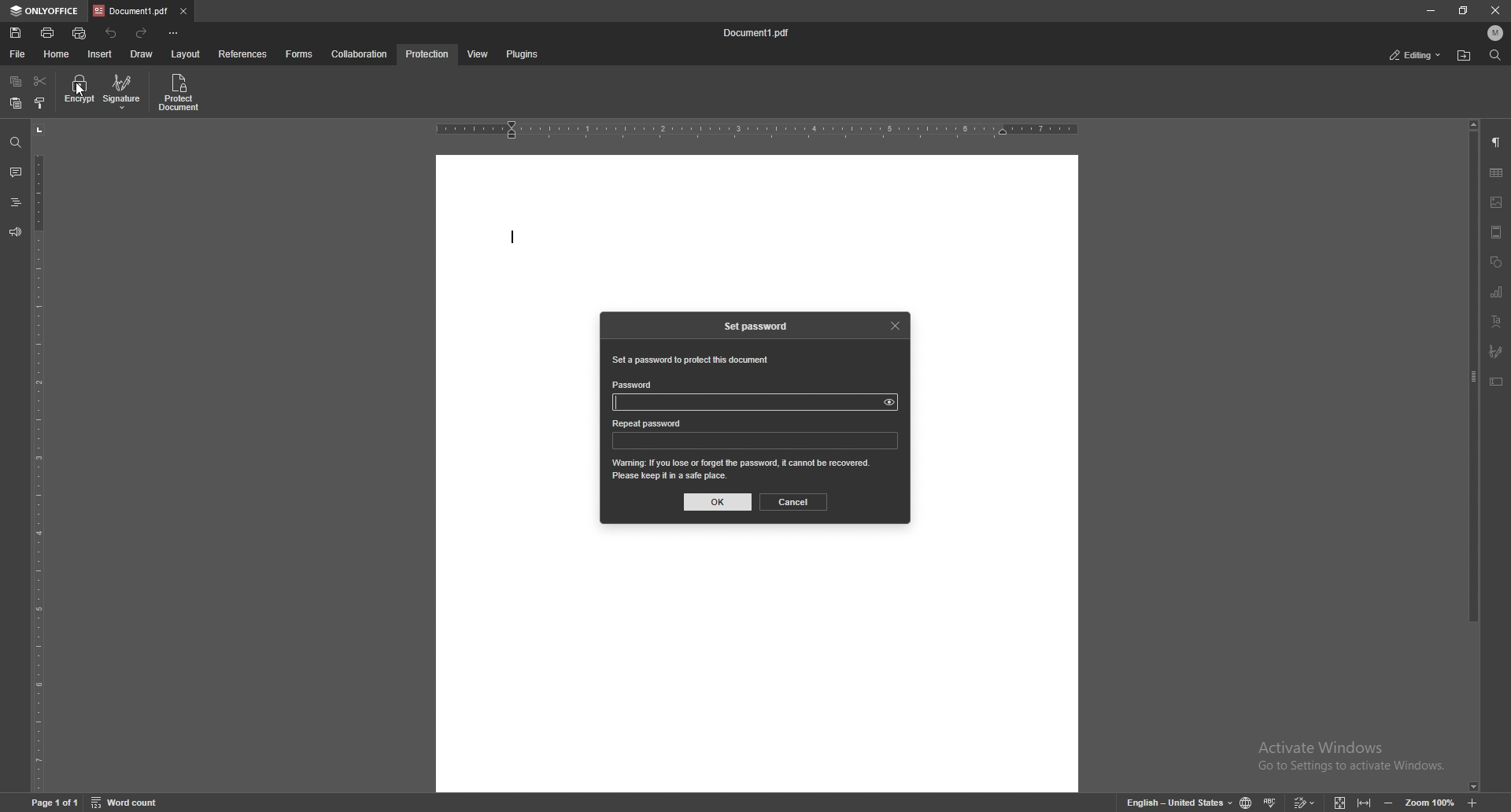 The image size is (1511, 812). Describe the element at coordinates (428, 54) in the screenshot. I see `protection` at that location.